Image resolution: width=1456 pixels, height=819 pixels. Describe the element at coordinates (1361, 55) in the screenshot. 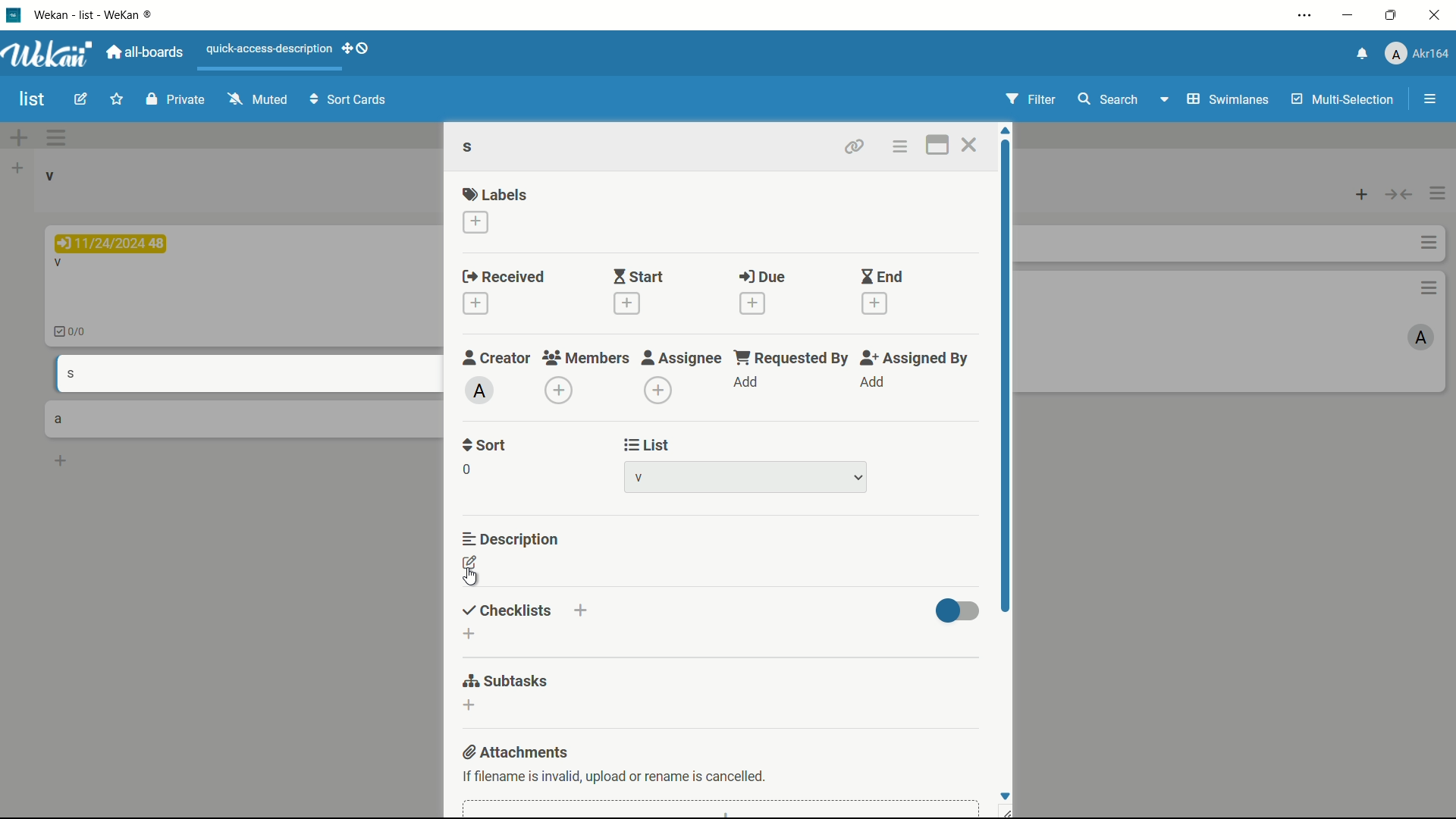

I see `notifications` at that location.